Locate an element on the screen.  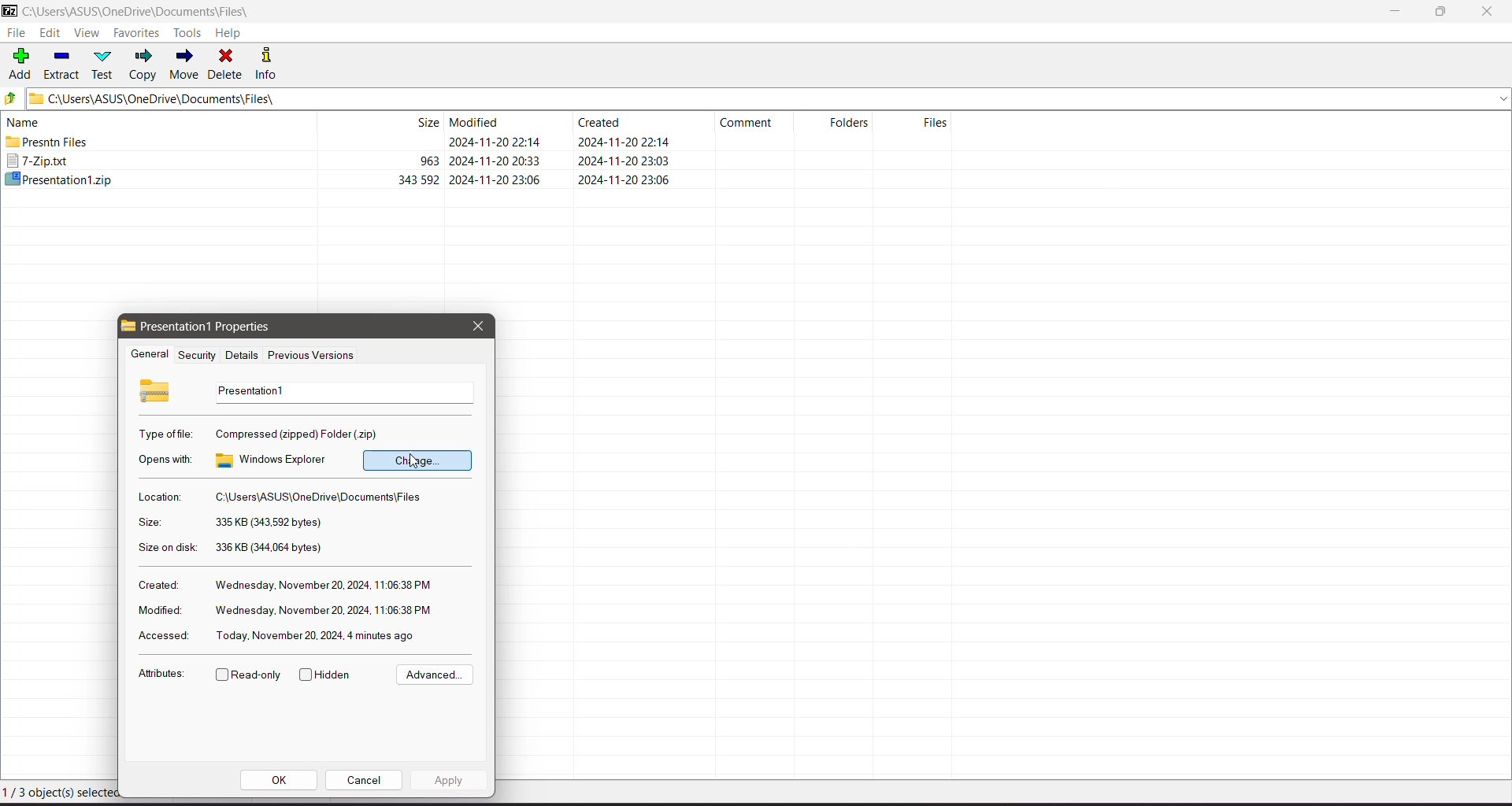
Application Logo is located at coordinates (9, 12).